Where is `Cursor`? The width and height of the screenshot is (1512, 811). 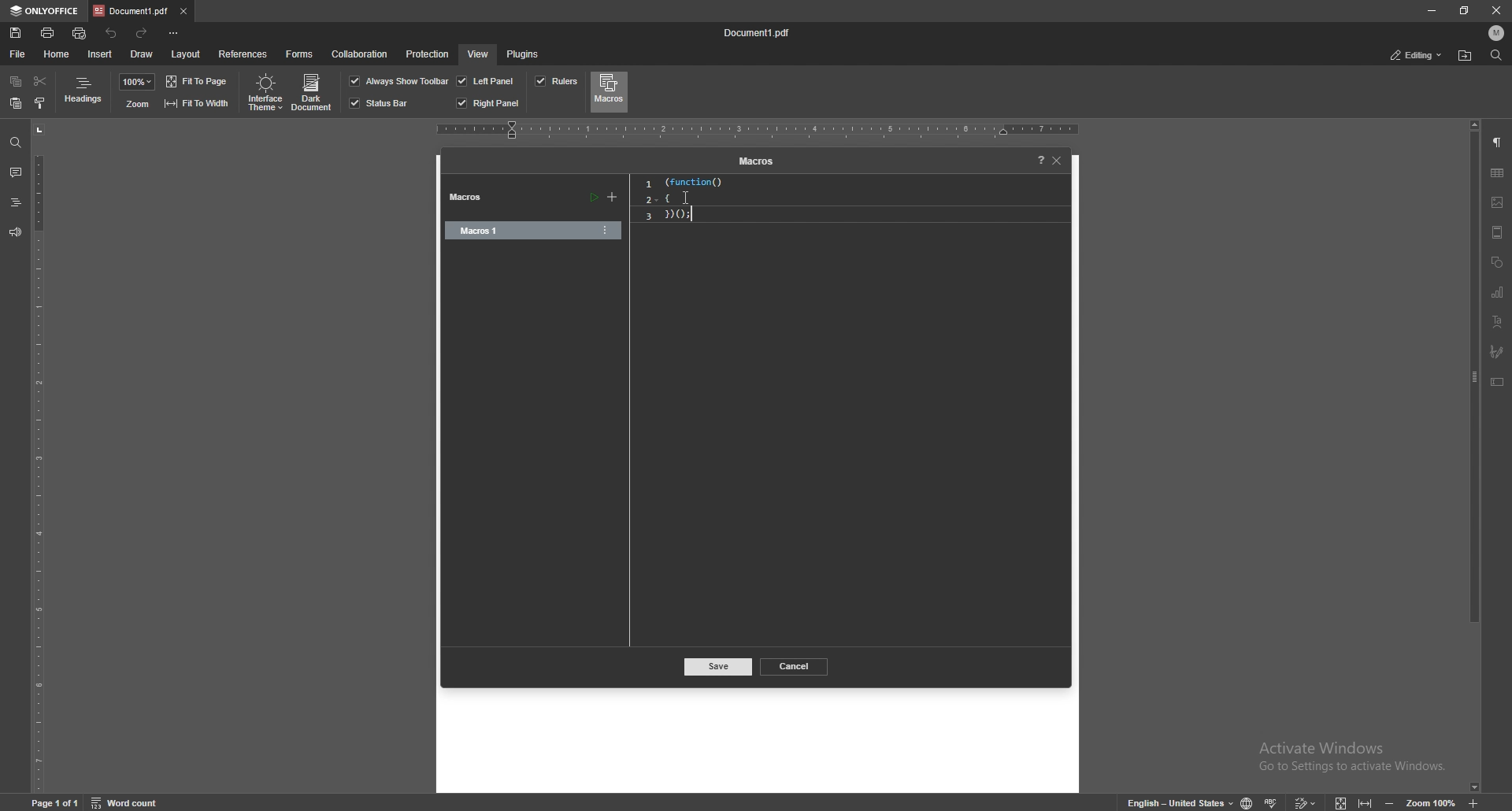 Cursor is located at coordinates (687, 198).